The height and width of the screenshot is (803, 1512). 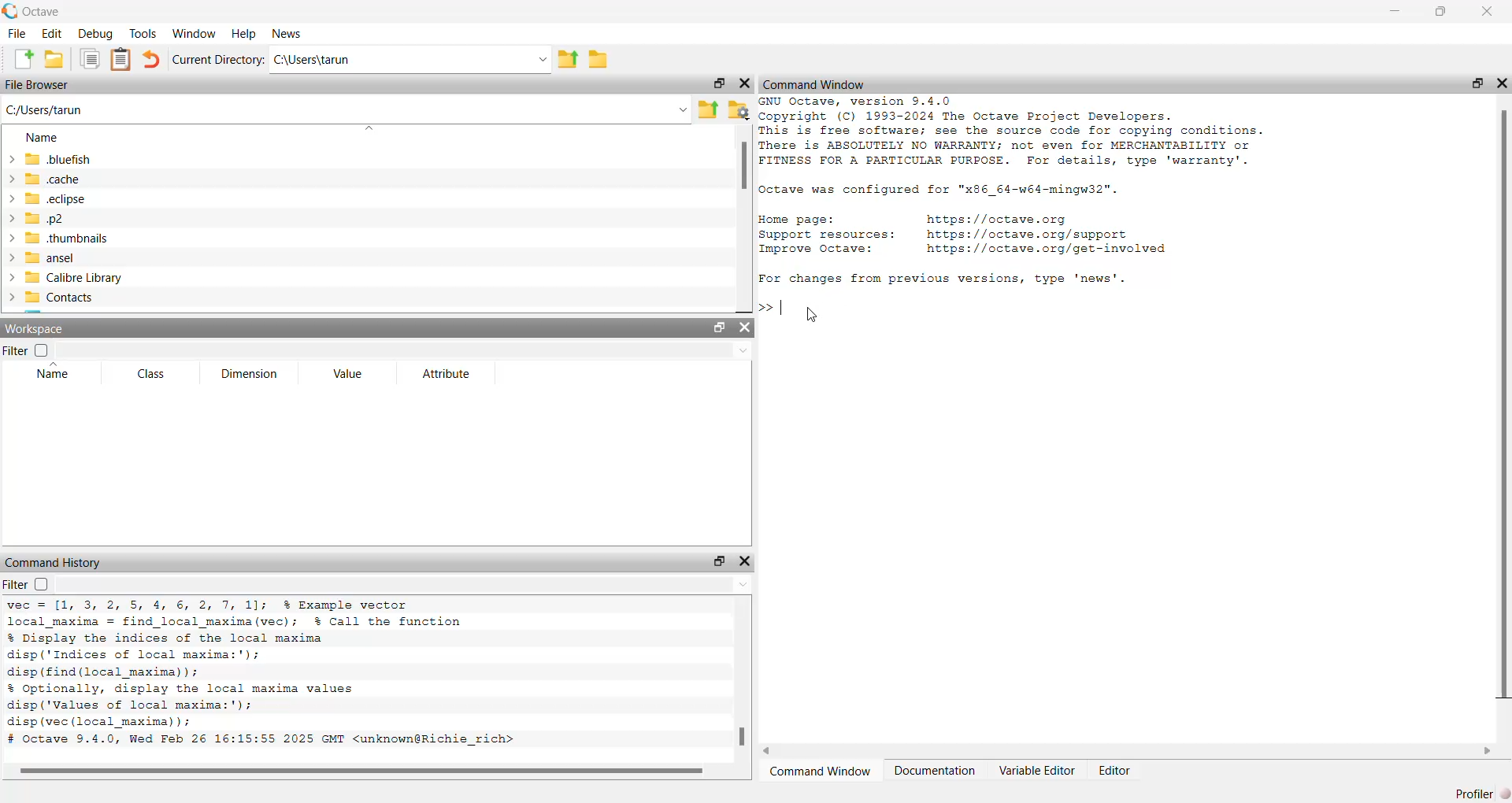 I want to click on Name, so click(x=39, y=137).